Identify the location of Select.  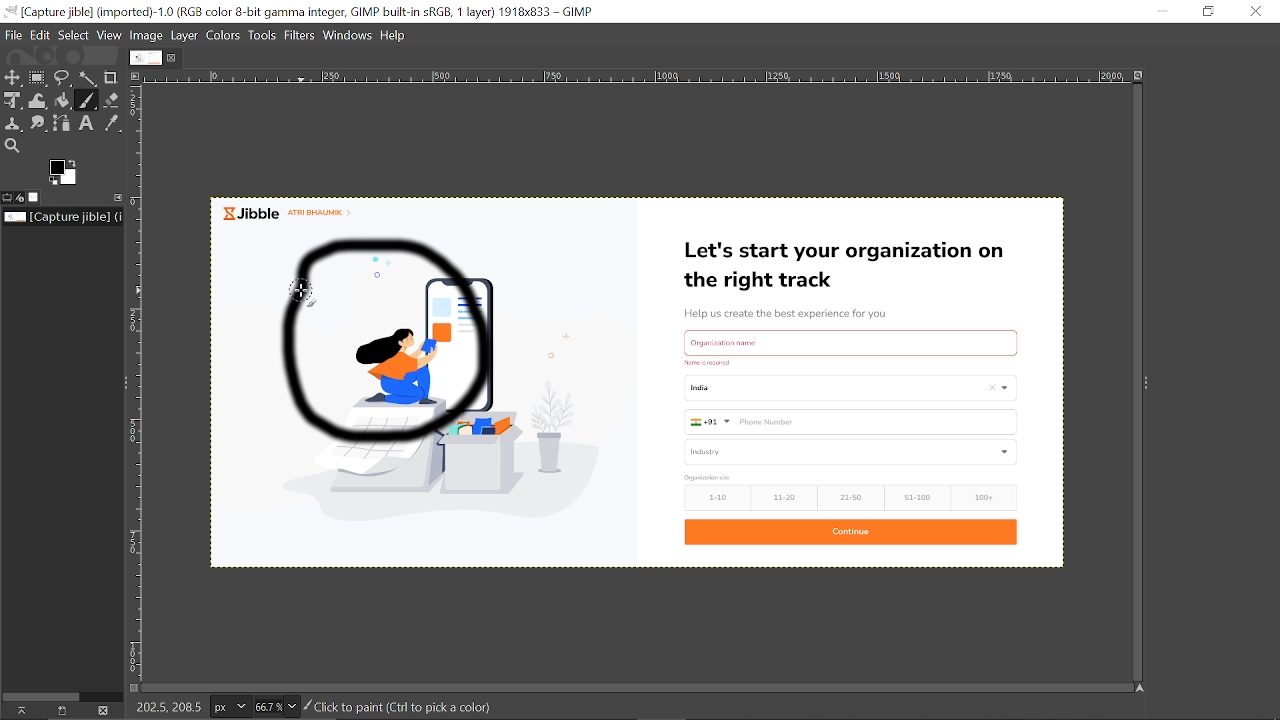
(74, 36).